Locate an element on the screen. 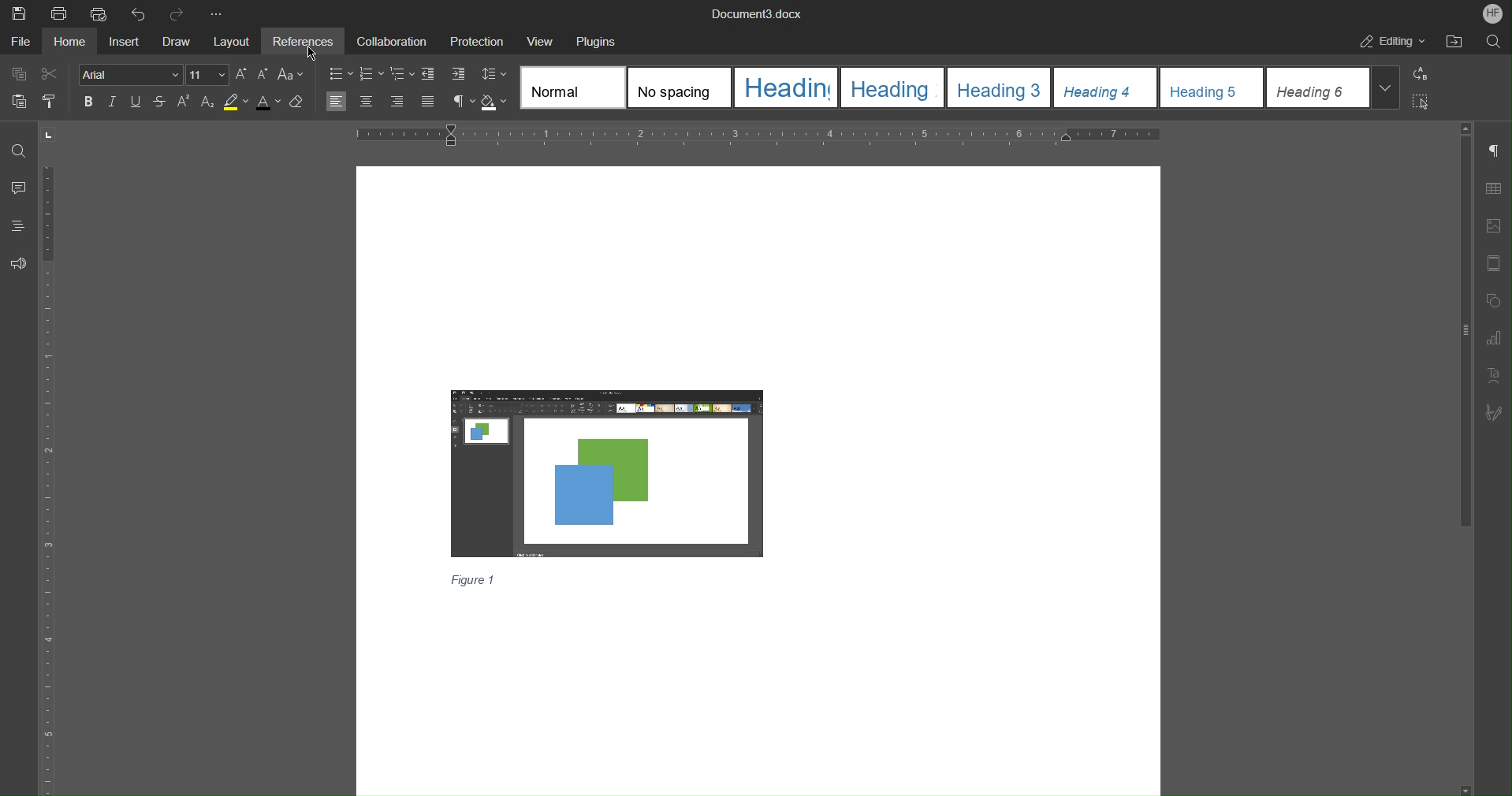  Replace is located at coordinates (1421, 73).